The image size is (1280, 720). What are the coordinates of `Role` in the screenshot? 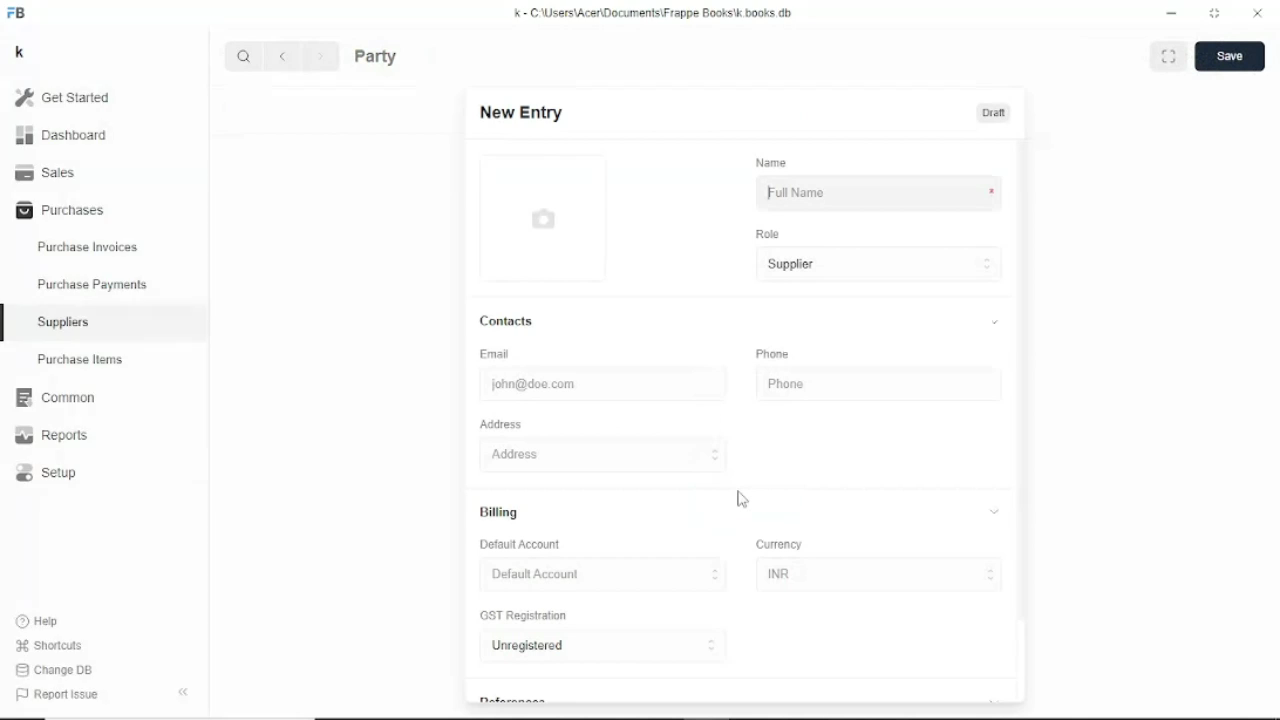 It's located at (768, 233).